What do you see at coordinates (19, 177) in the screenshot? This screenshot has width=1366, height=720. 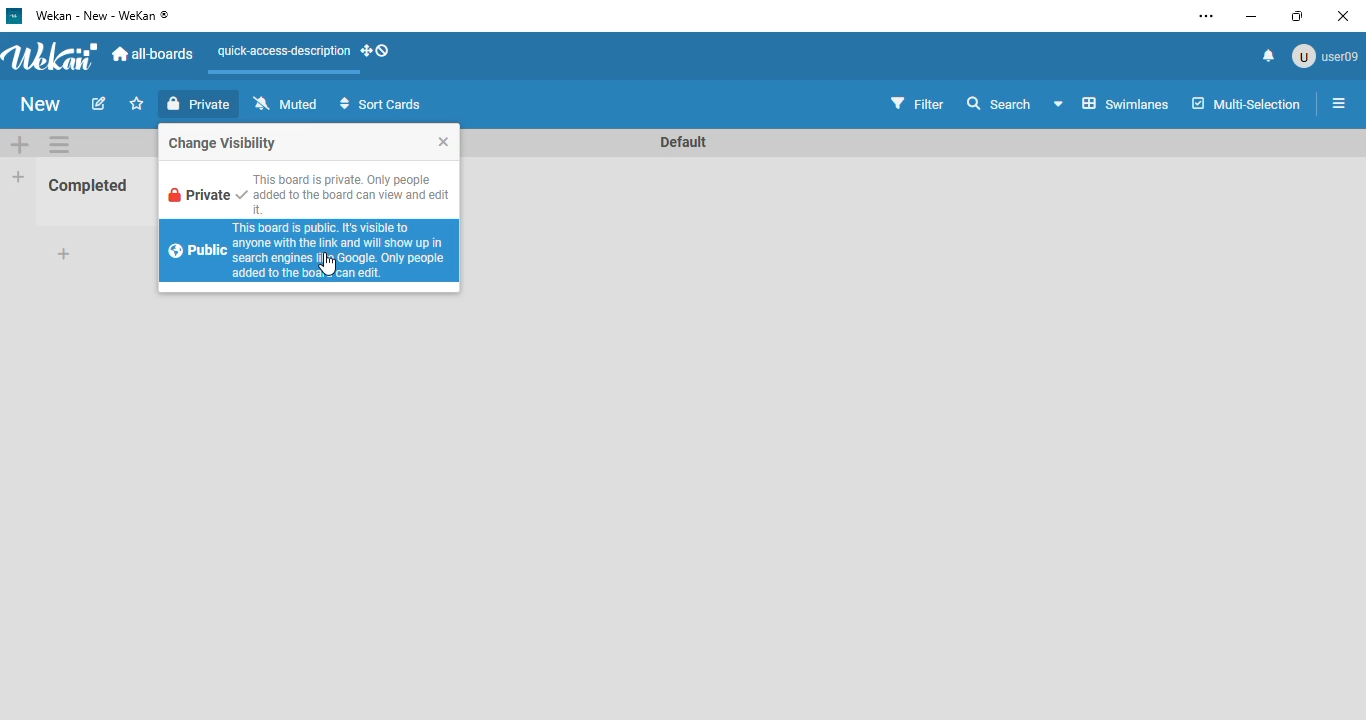 I see `add list` at bounding box center [19, 177].